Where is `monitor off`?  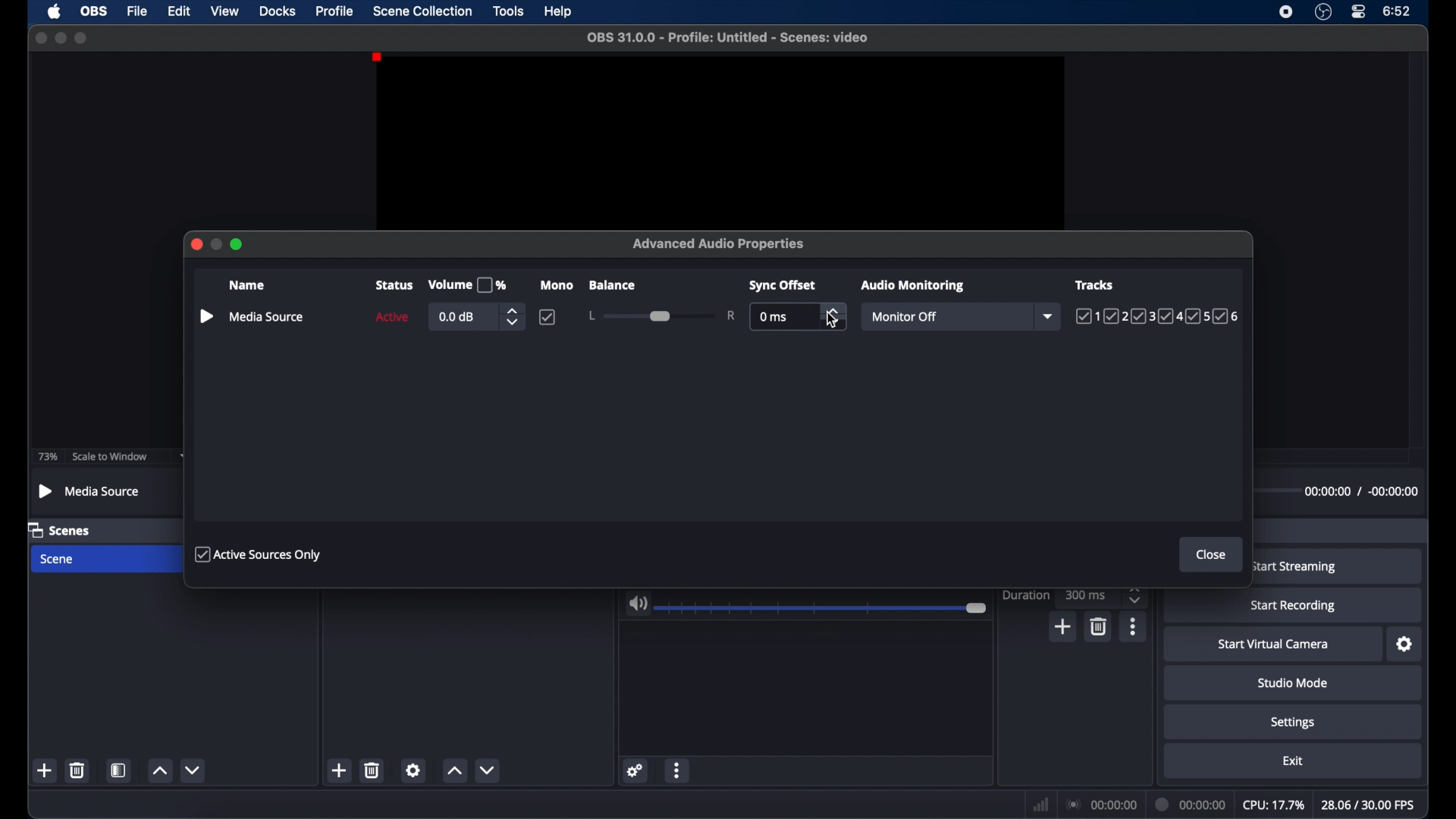 monitor off is located at coordinates (904, 317).